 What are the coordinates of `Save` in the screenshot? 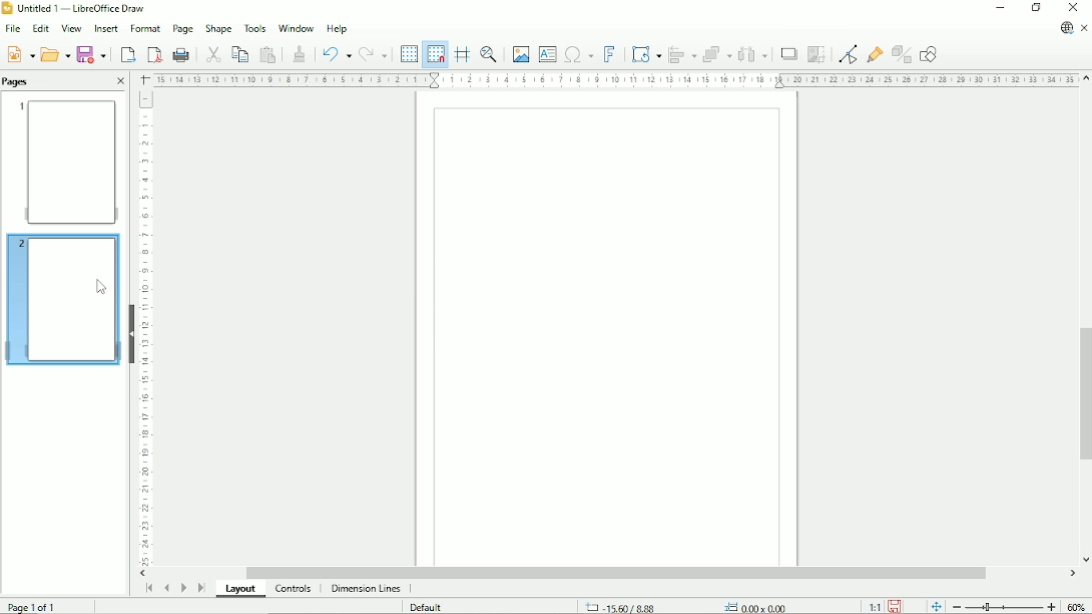 It's located at (93, 54).